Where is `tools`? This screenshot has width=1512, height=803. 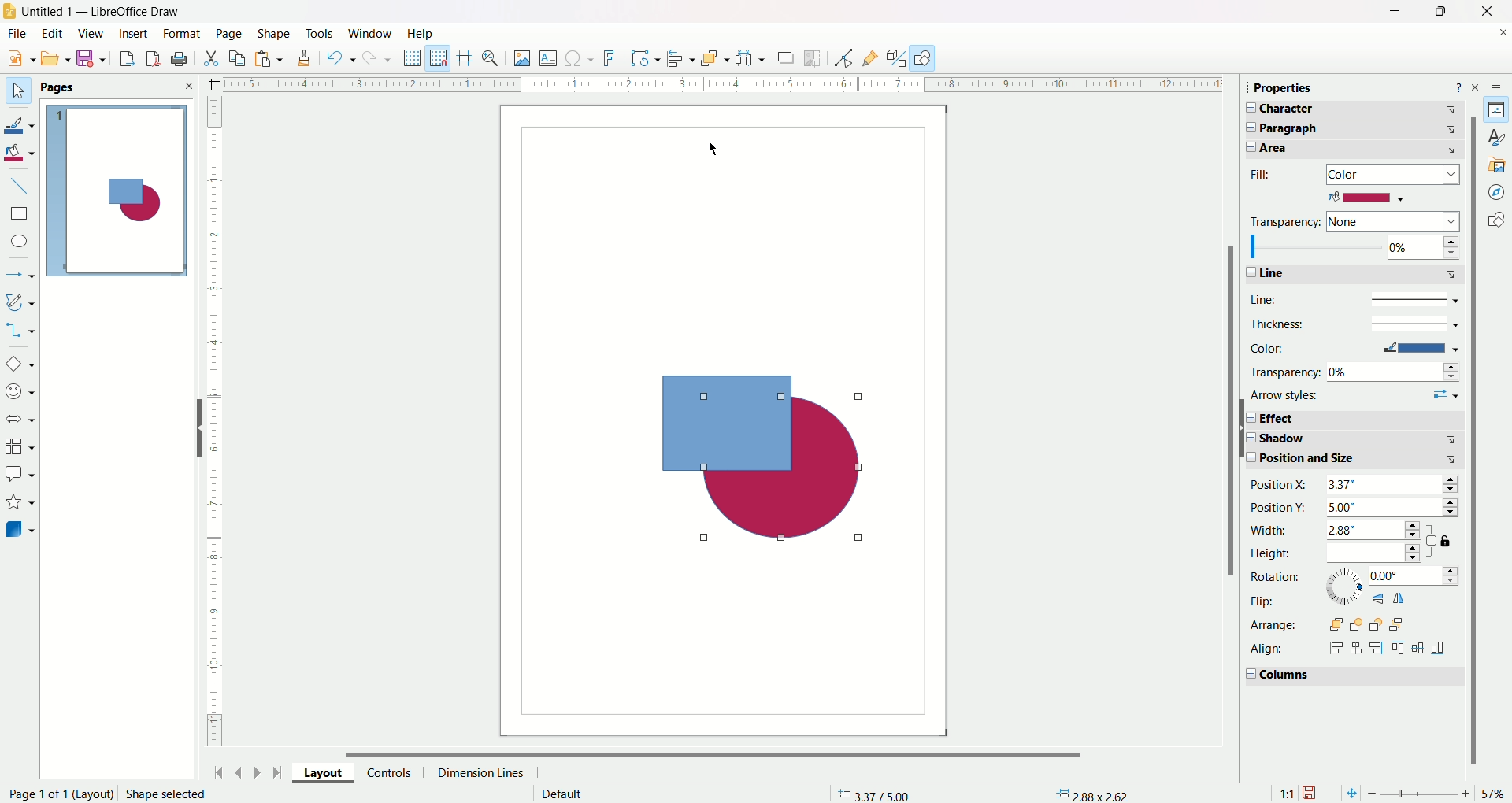 tools is located at coordinates (320, 33).